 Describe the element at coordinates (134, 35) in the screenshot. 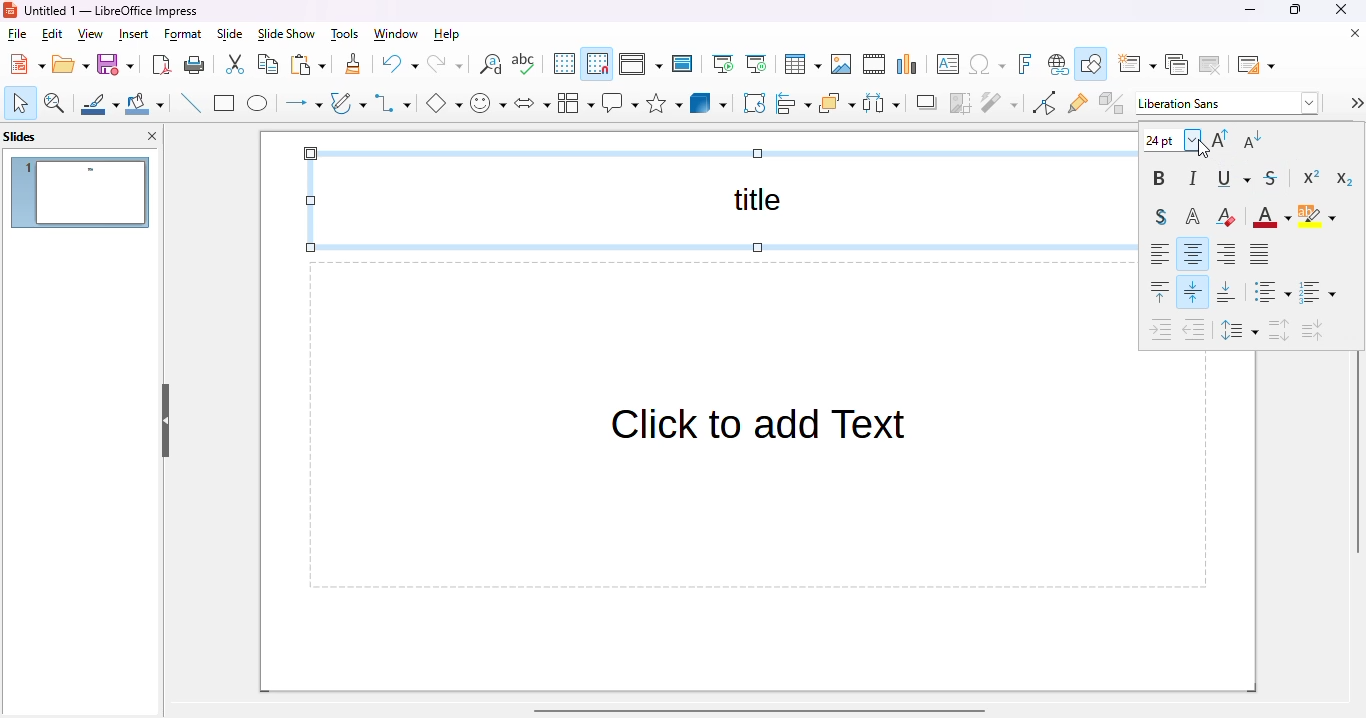

I see `insert` at that location.